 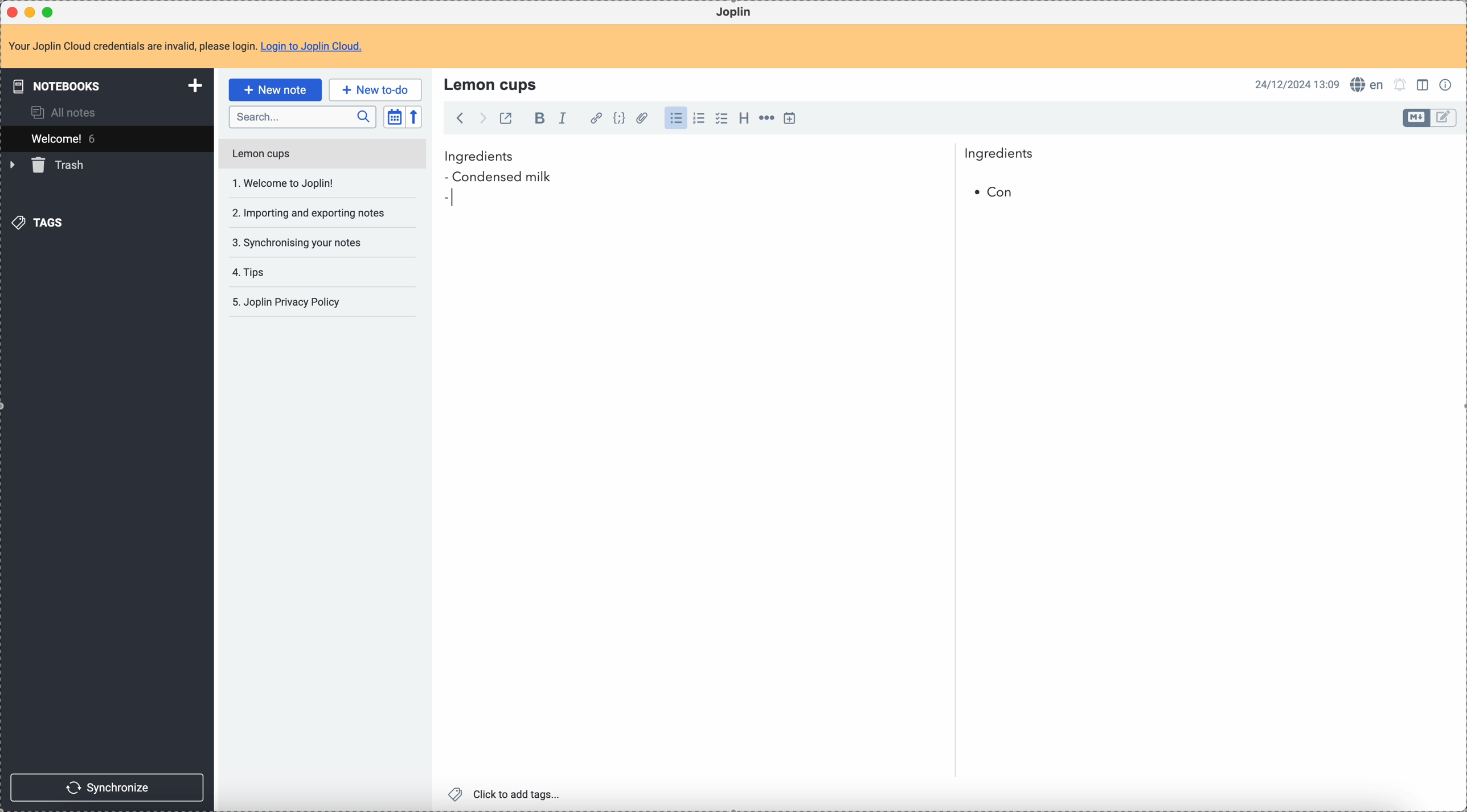 What do you see at coordinates (460, 118) in the screenshot?
I see `back` at bounding box center [460, 118].